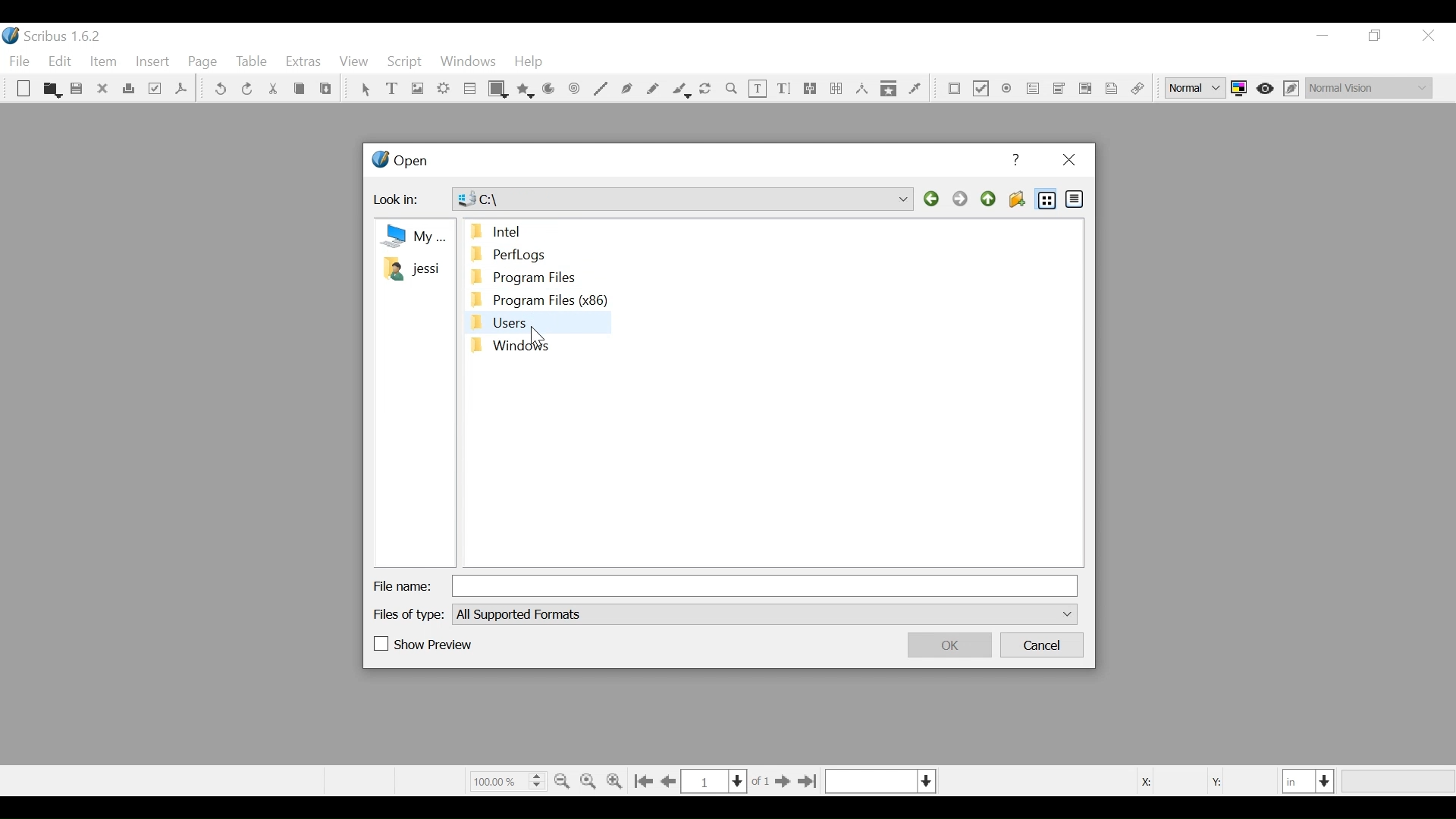  I want to click on Detail View, so click(1073, 198).